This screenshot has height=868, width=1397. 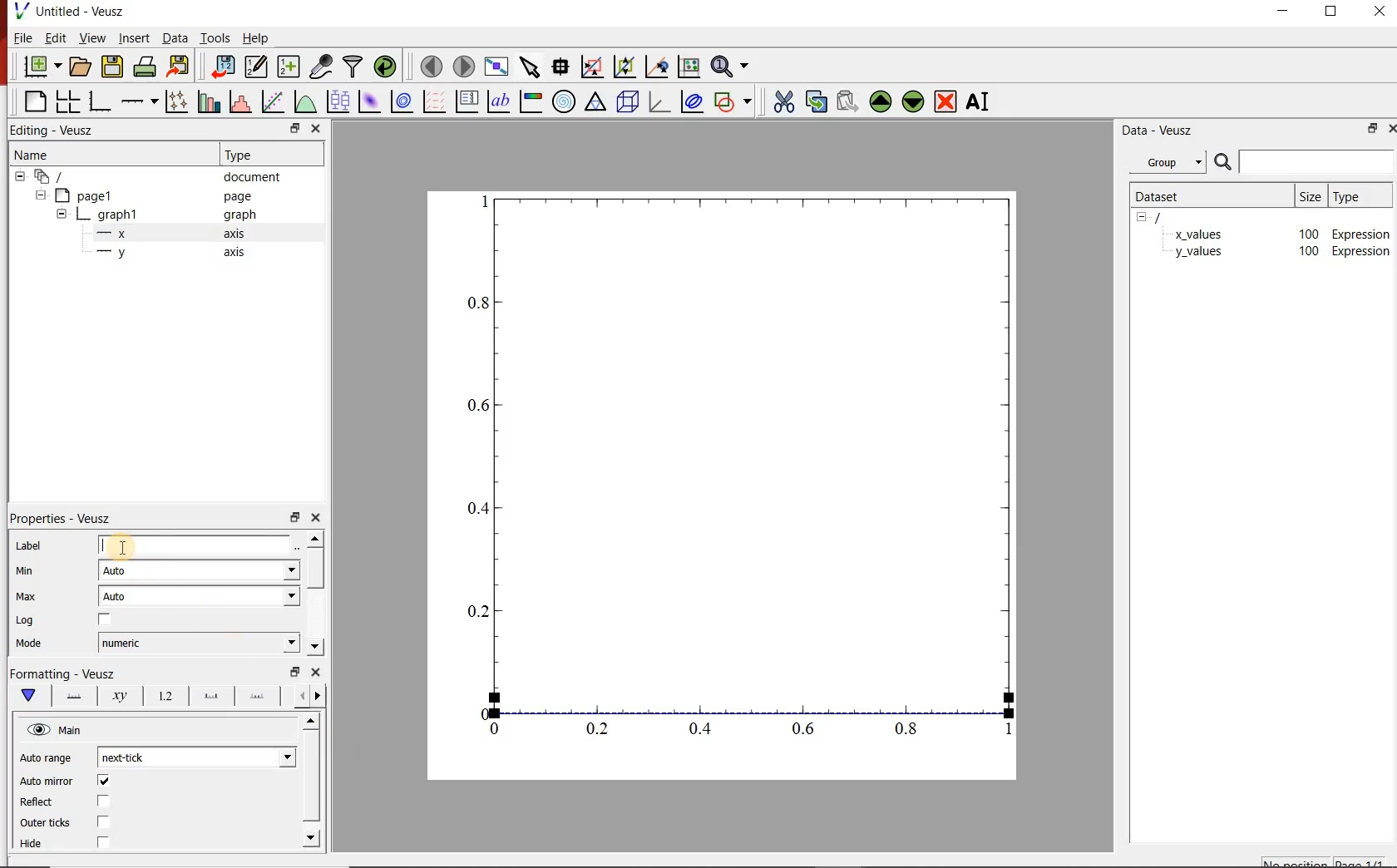 What do you see at coordinates (29, 696) in the screenshot?
I see `main formatting` at bounding box center [29, 696].